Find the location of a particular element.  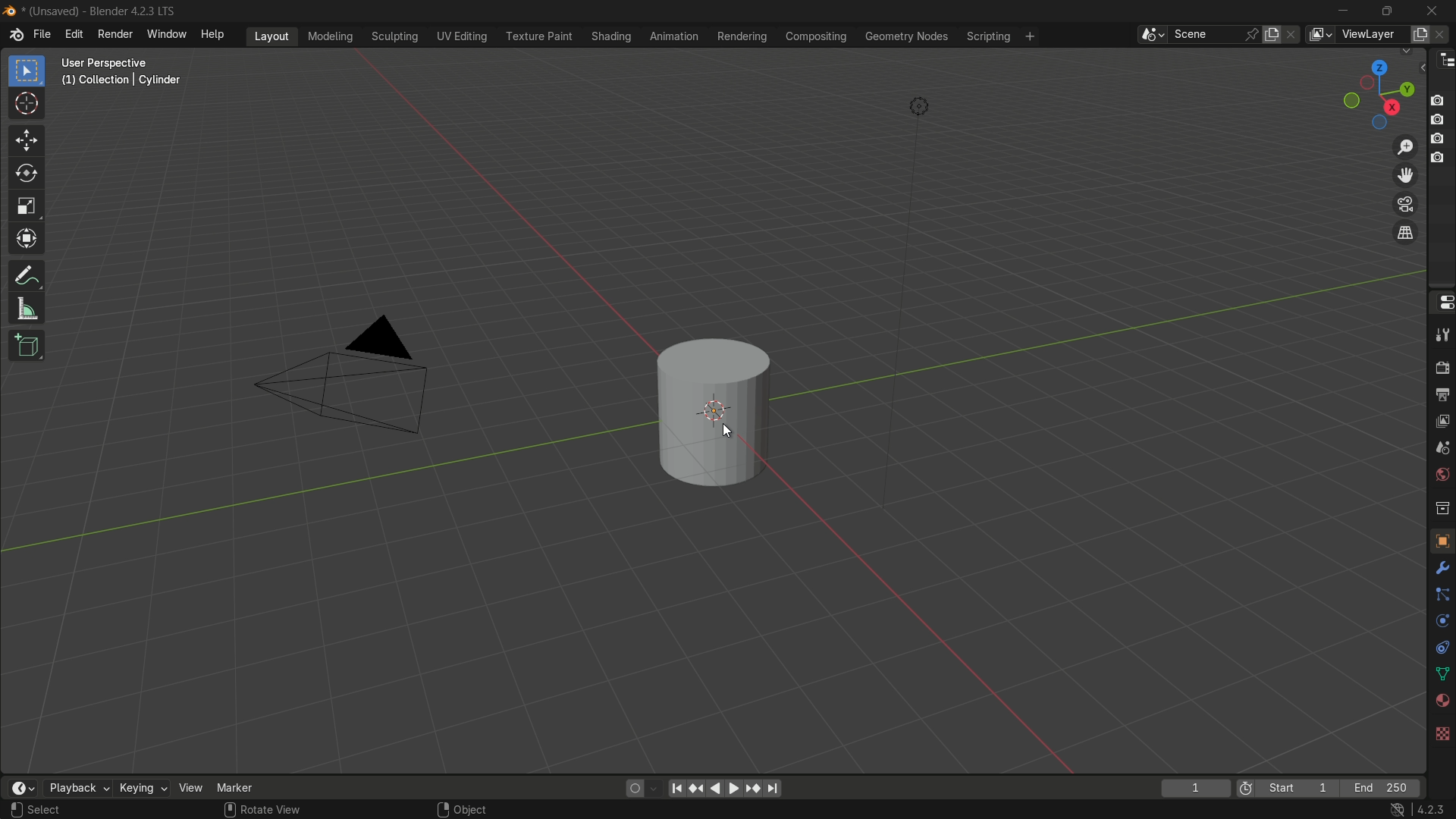

viewLayer is located at coordinates (1369, 35).